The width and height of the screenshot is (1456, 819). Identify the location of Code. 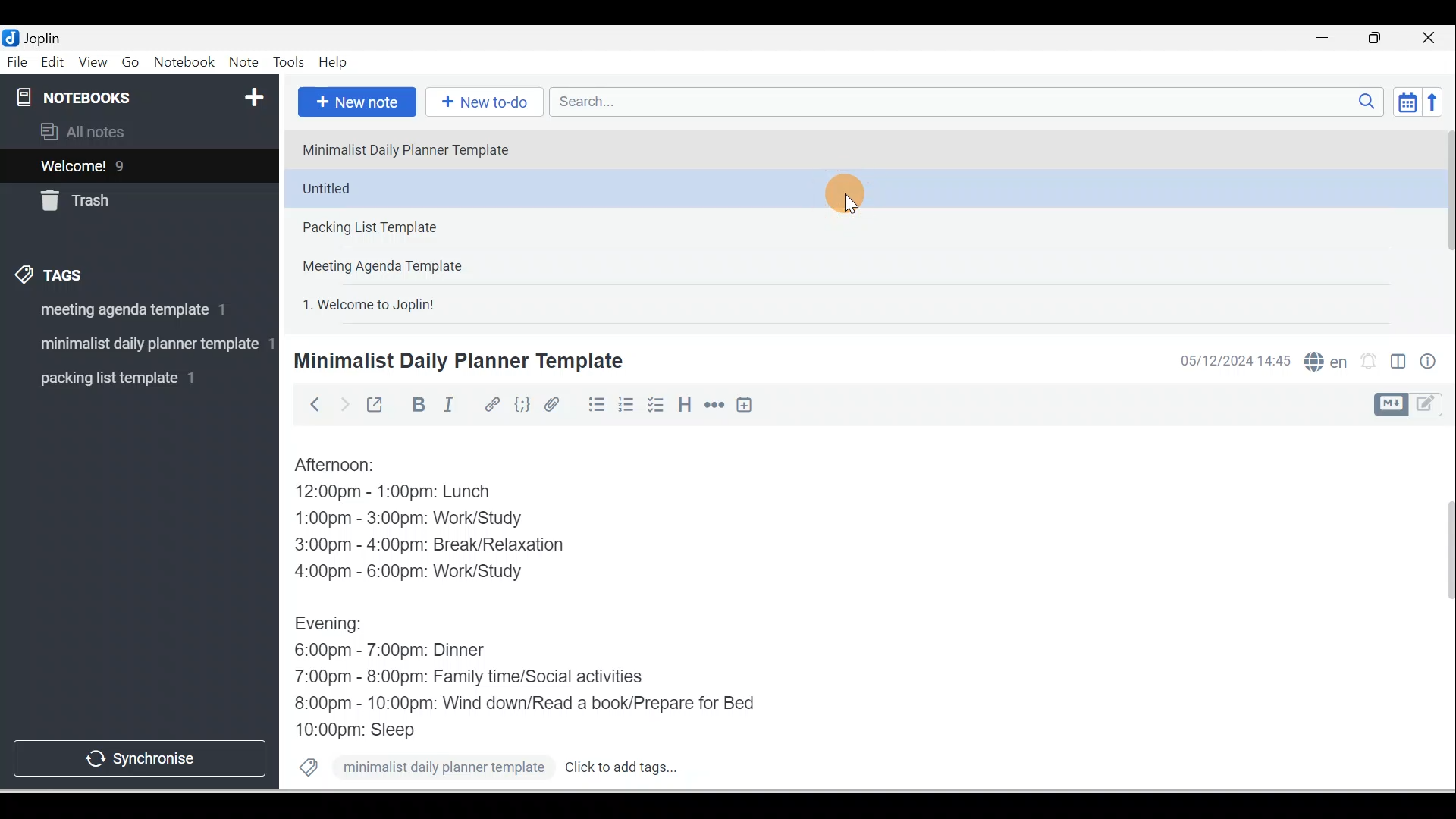
(522, 406).